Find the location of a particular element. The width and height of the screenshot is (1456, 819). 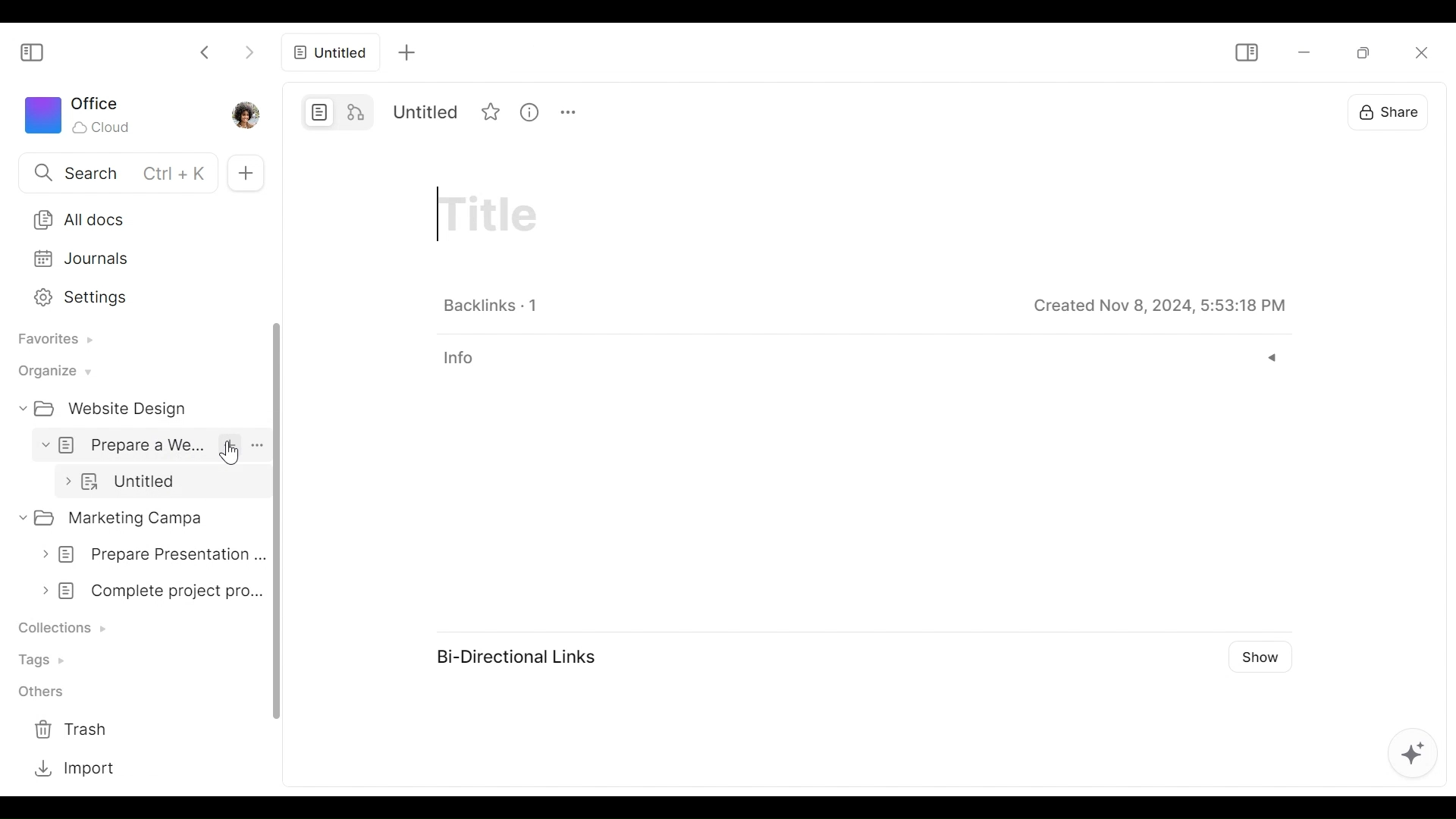

Bi-Directional Links is located at coordinates (522, 658).